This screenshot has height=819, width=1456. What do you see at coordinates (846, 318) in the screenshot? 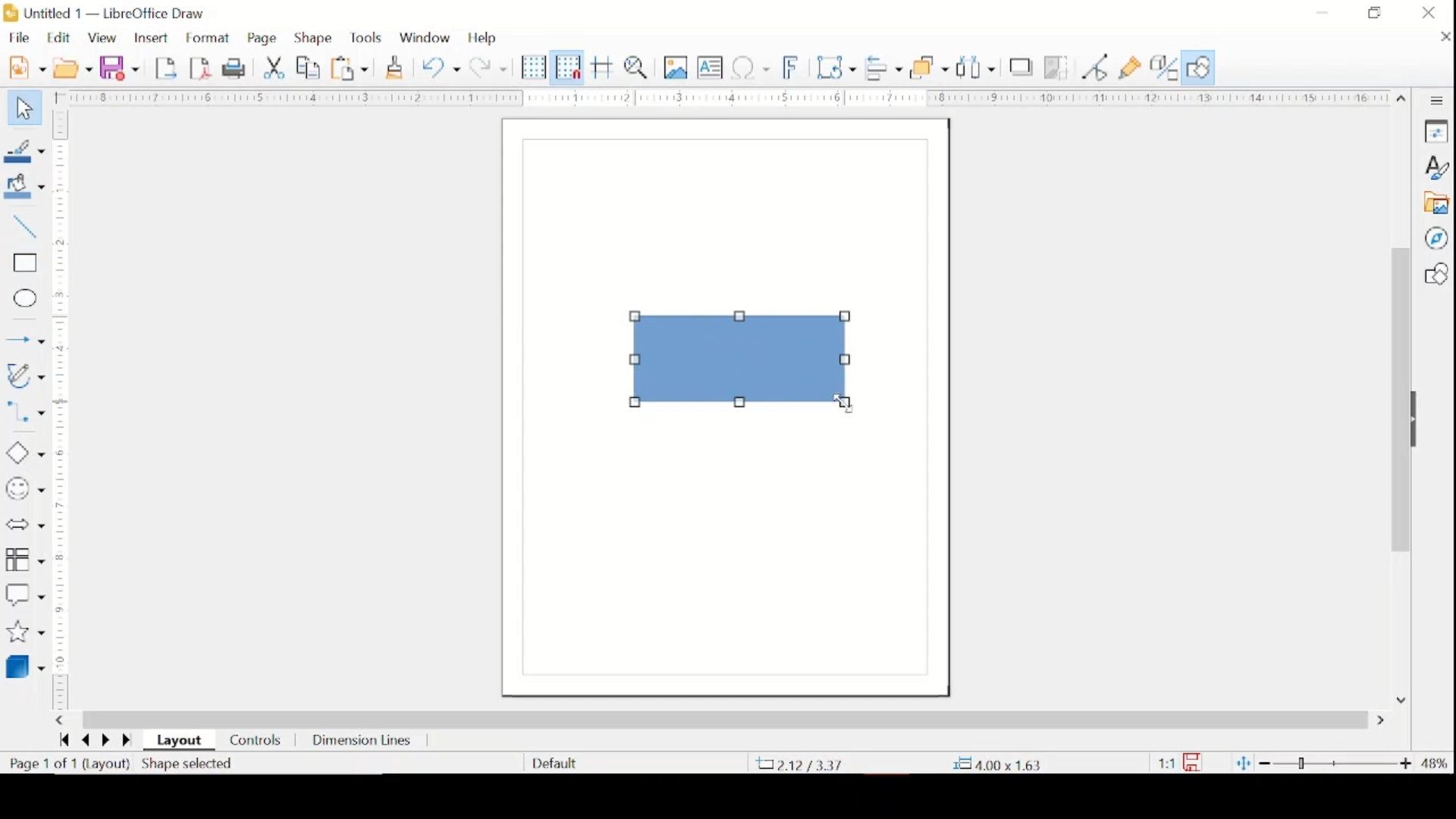
I see `resize handle` at bounding box center [846, 318].